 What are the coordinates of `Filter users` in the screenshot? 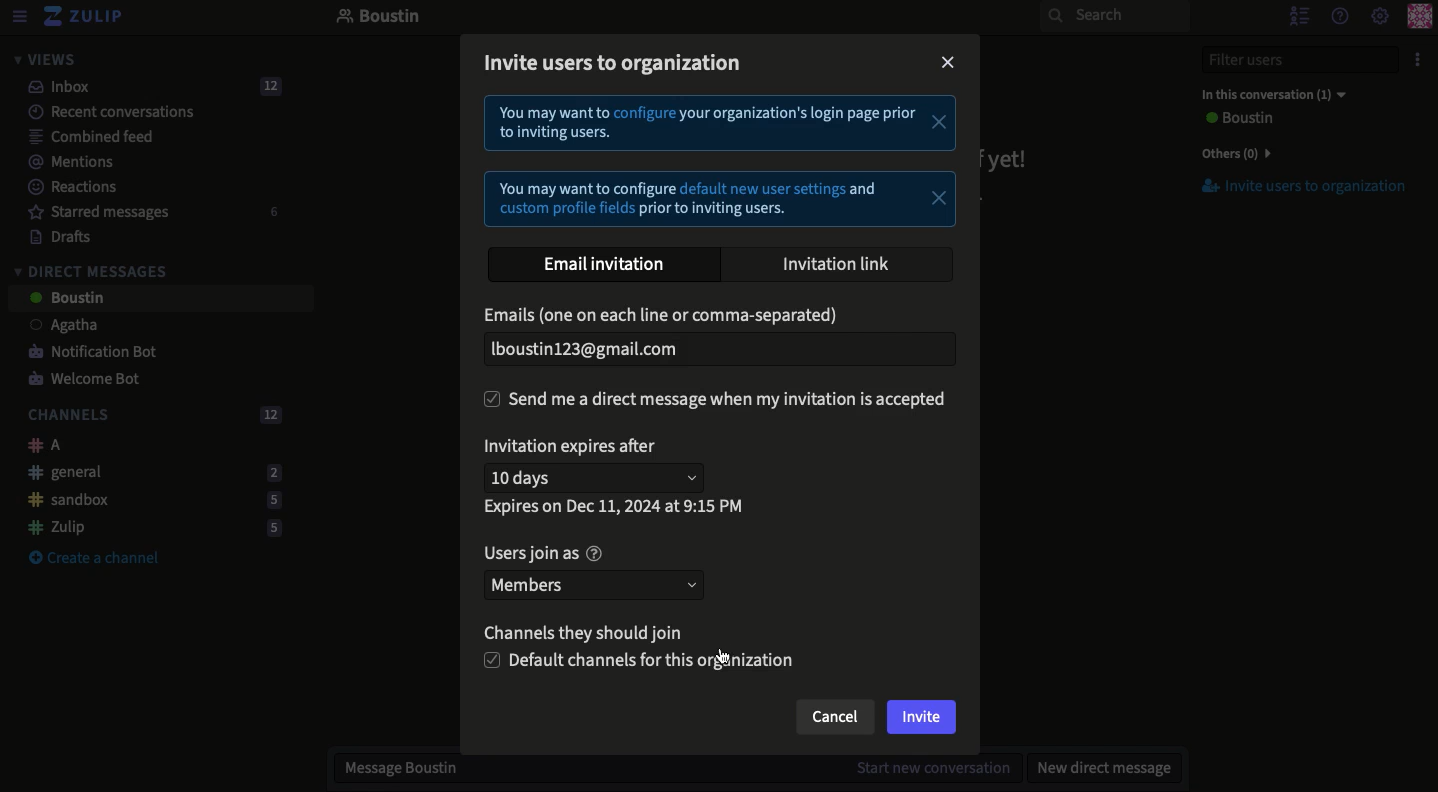 It's located at (1288, 60).